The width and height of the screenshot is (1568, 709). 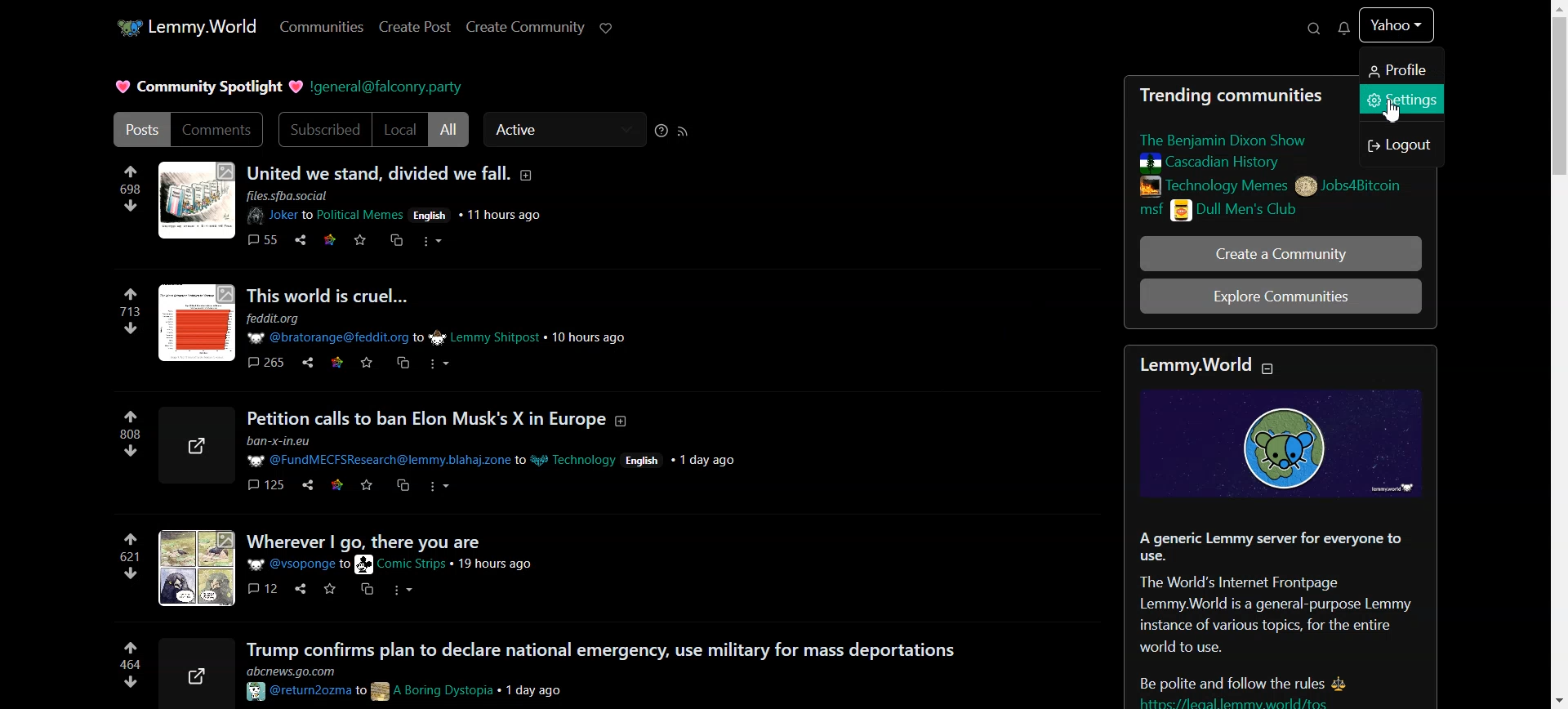 What do you see at coordinates (325, 245) in the screenshot?
I see `` at bounding box center [325, 245].